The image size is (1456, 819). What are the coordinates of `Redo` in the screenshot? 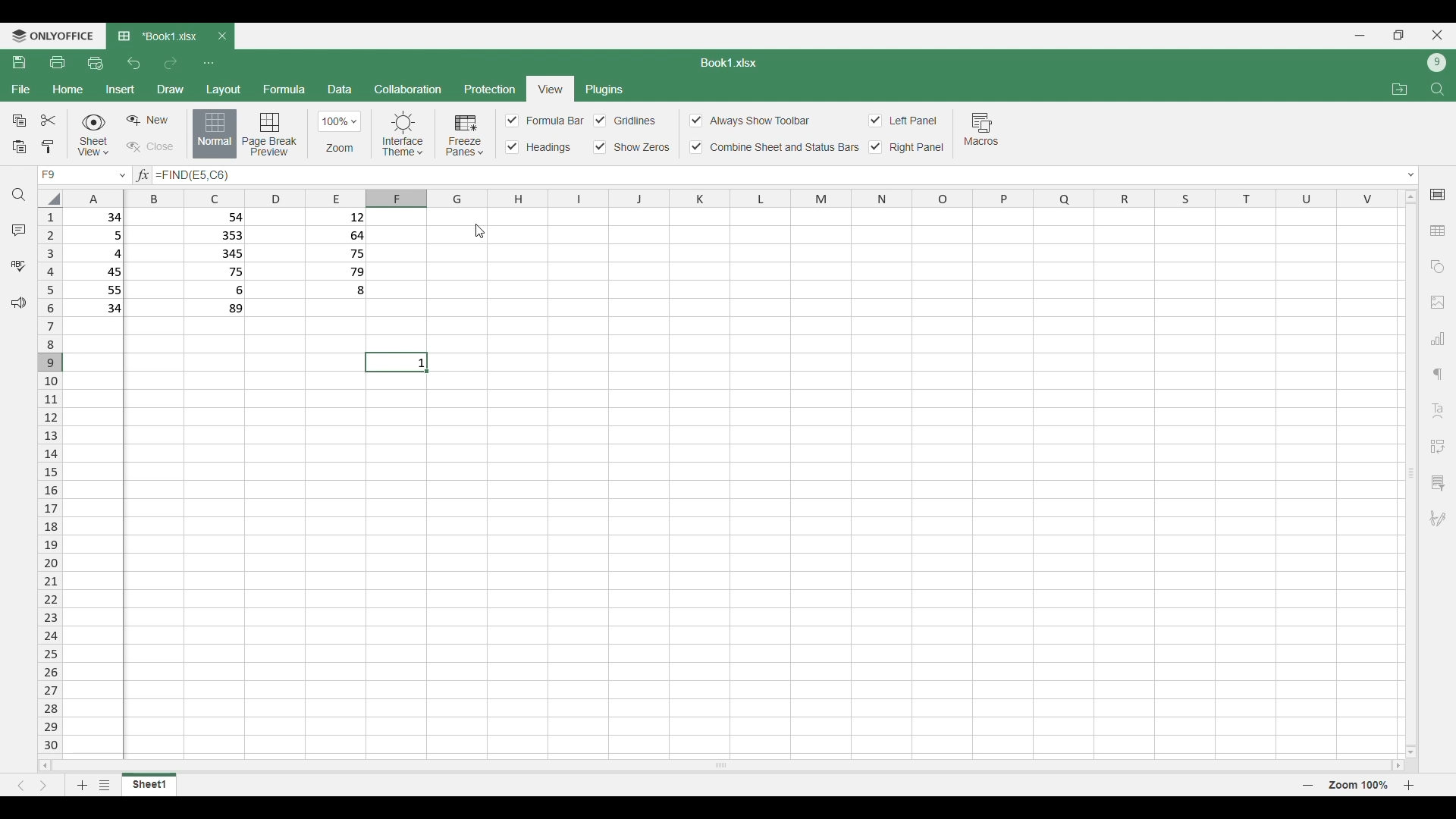 It's located at (171, 64).